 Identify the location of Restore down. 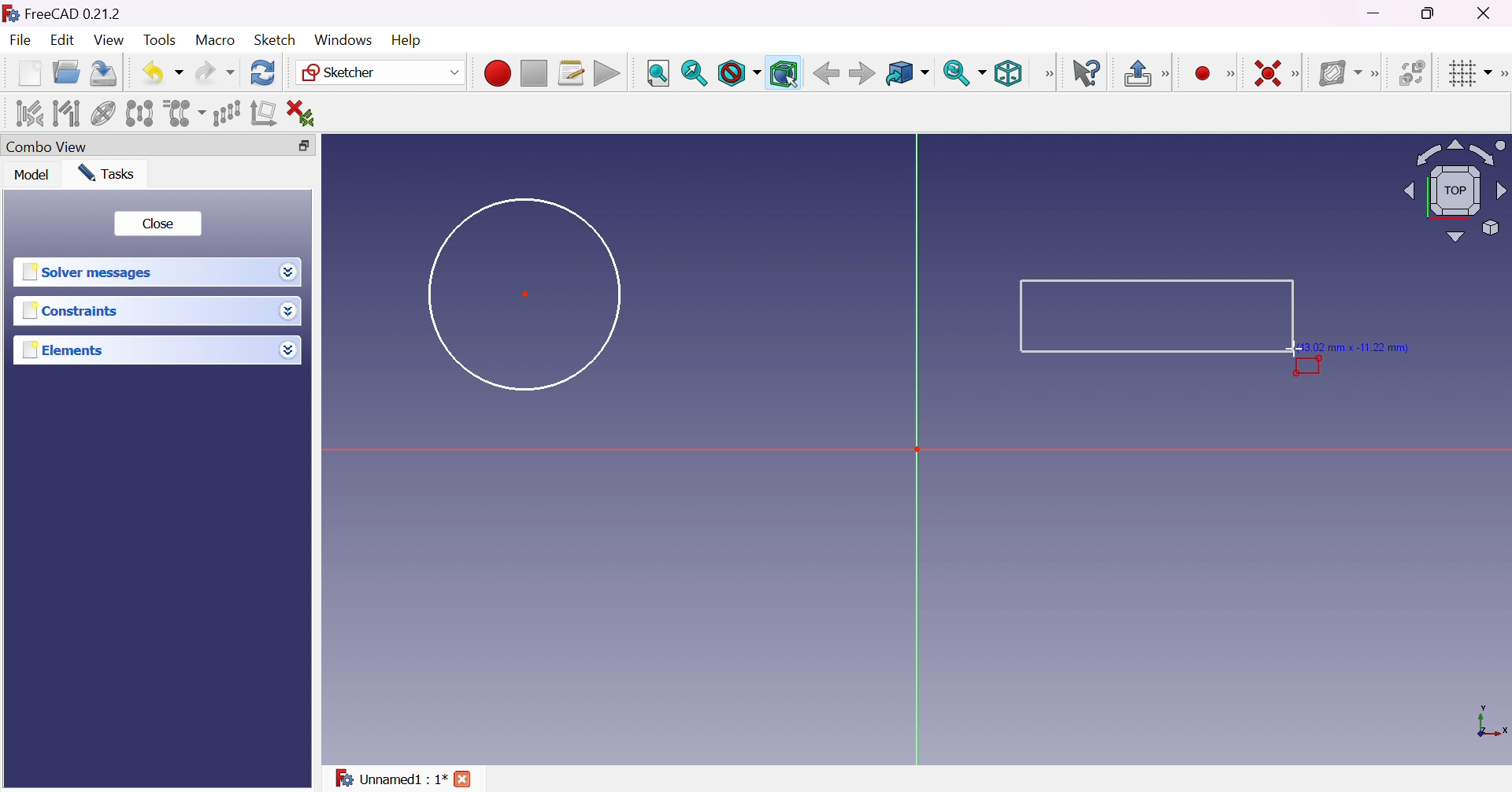
(299, 146).